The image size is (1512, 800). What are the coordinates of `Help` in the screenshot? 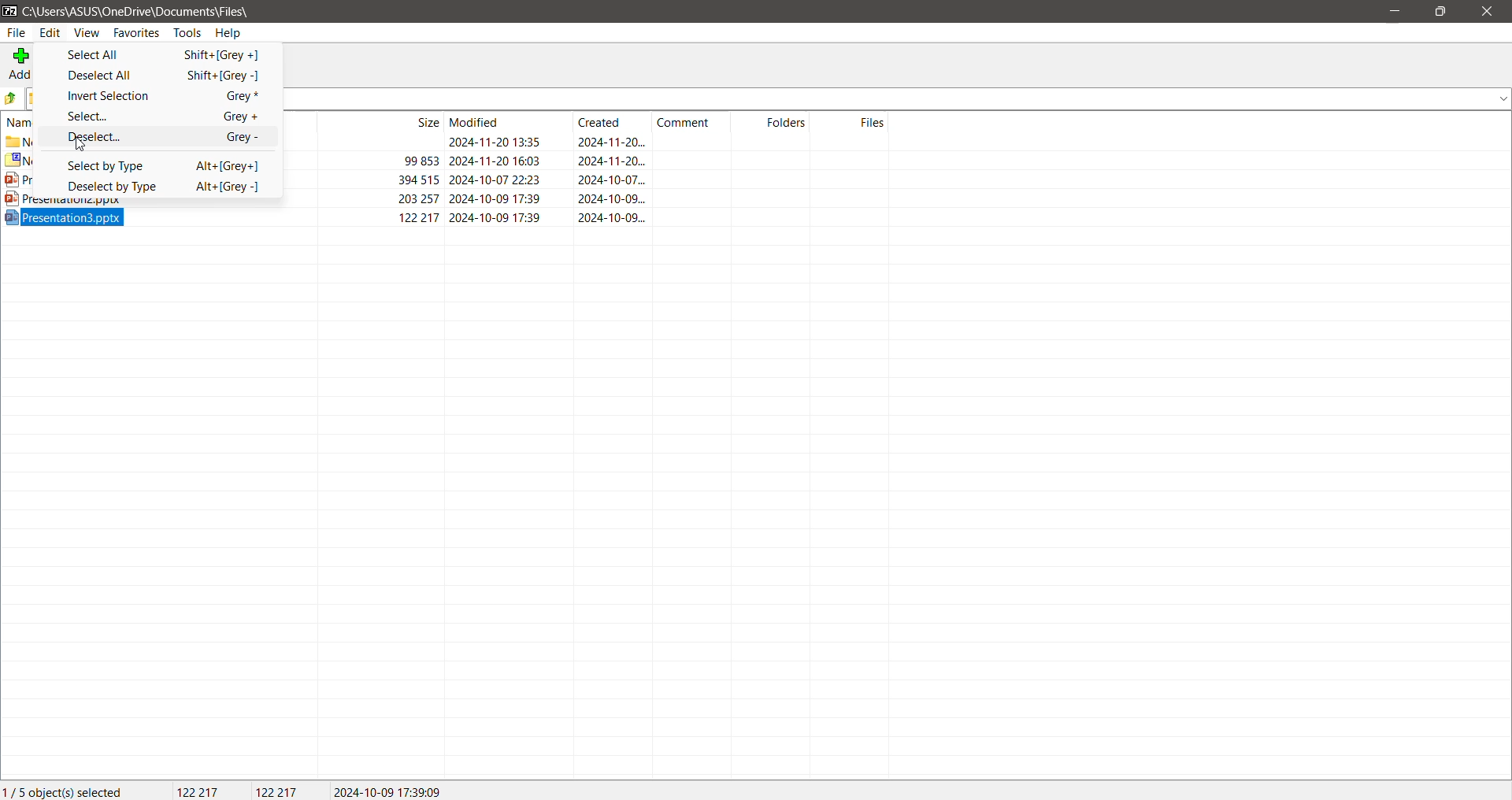 It's located at (234, 32).